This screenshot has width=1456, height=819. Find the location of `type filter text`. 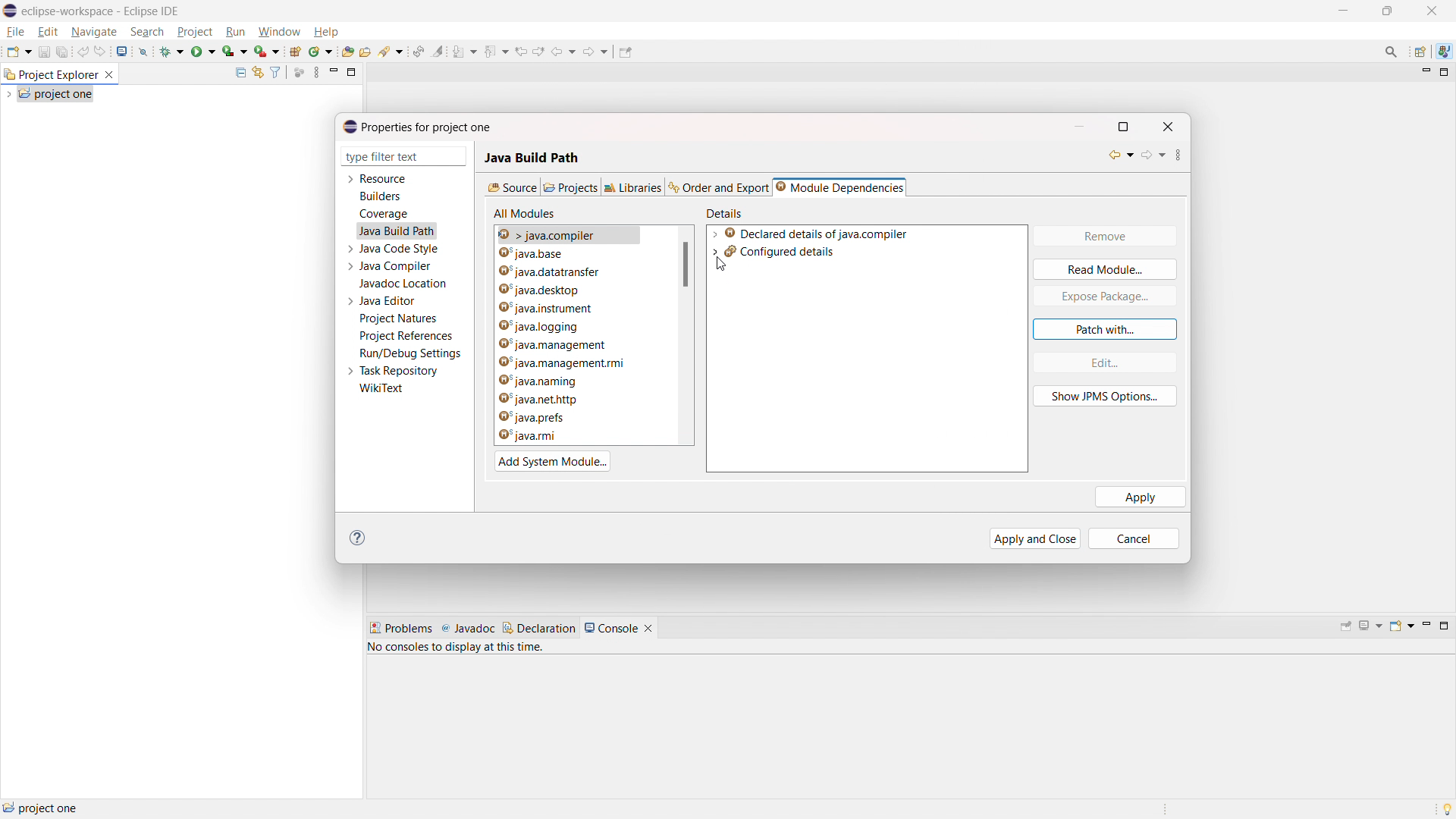

type filter text is located at coordinates (394, 157).